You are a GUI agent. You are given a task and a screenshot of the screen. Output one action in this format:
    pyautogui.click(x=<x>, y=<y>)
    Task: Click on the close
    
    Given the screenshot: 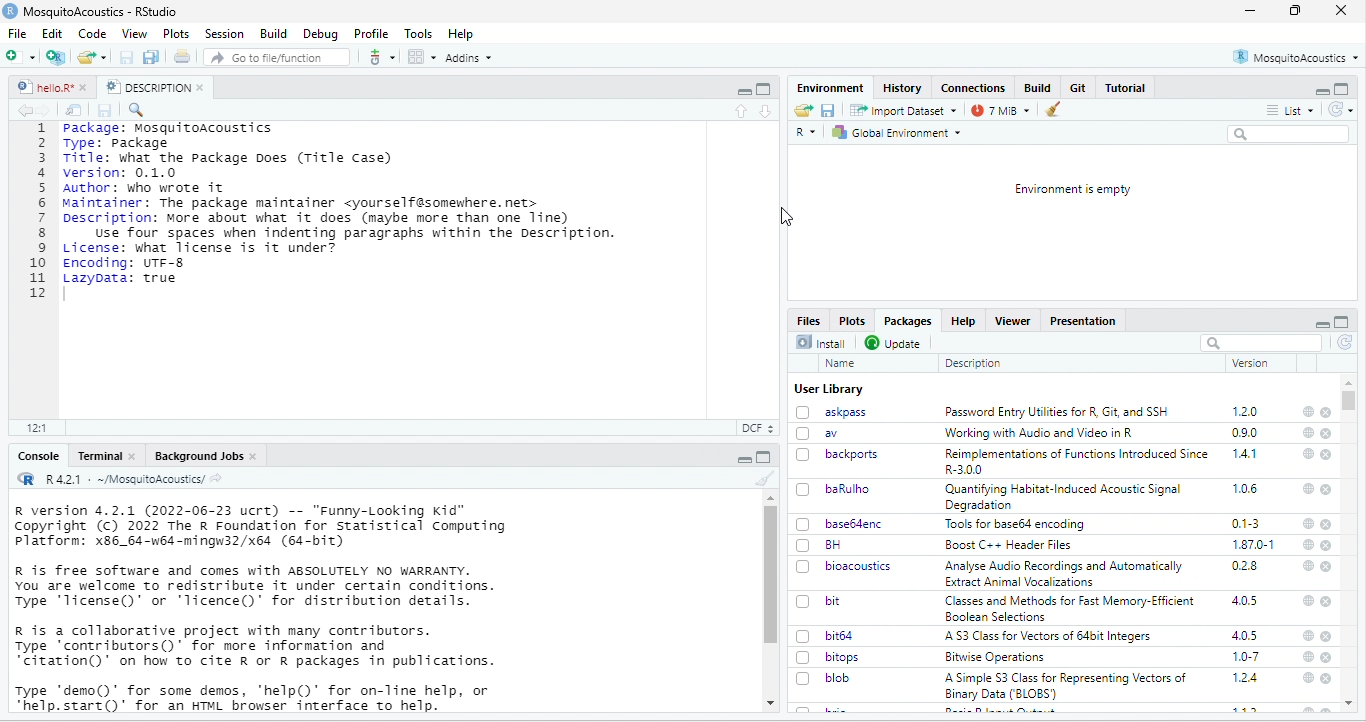 What is the action you would take?
    pyautogui.click(x=1327, y=455)
    